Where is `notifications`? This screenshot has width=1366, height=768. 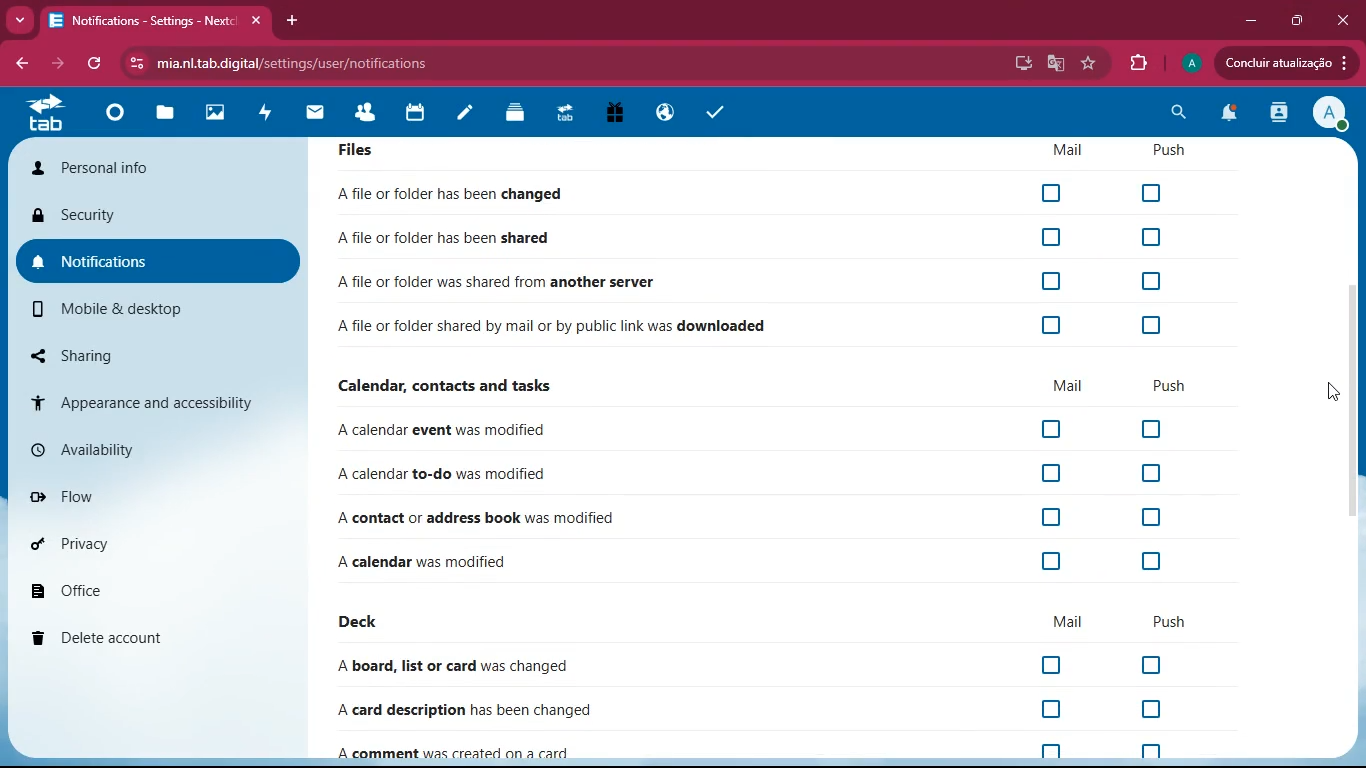
notifications is located at coordinates (157, 262).